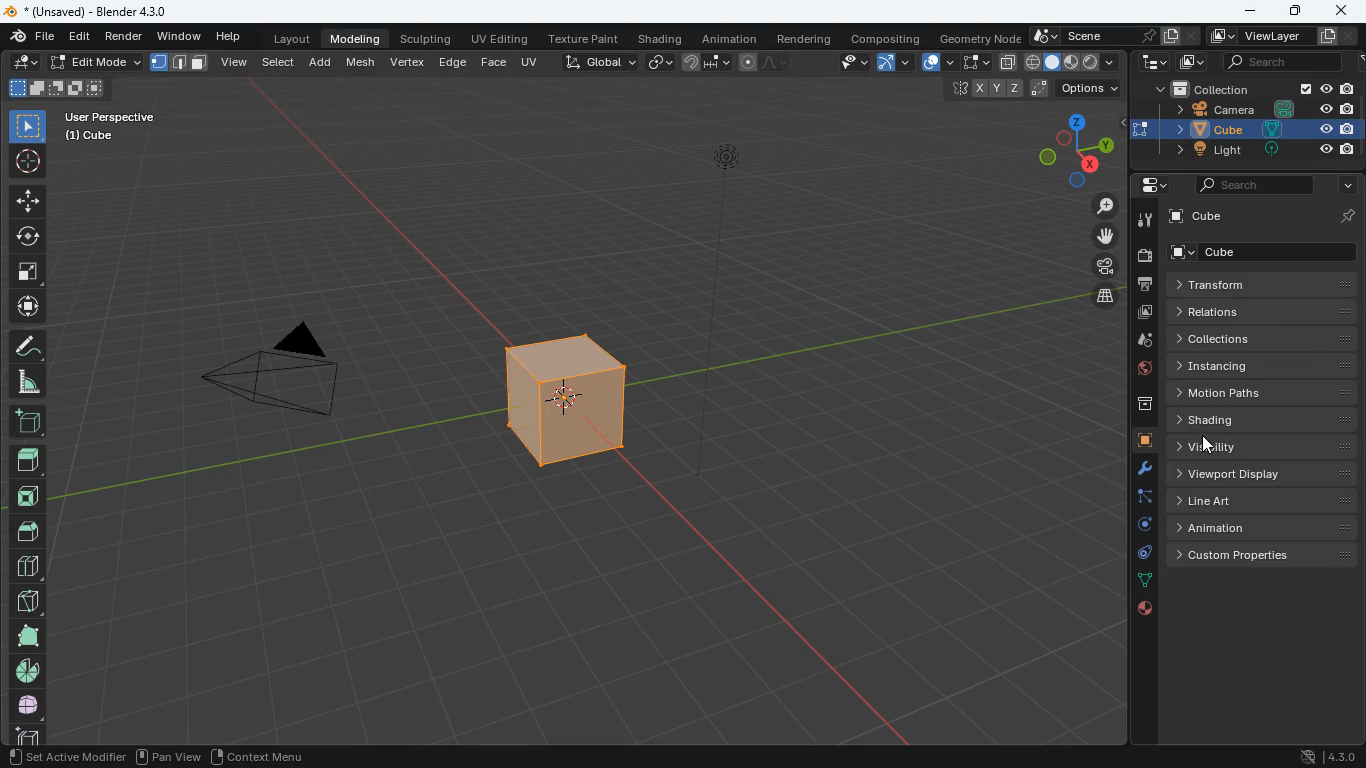 Image resolution: width=1366 pixels, height=768 pixels. What do you see at coordinates (658, 63) in the screenshot?
I see `link` at bounding box center [658, 63].